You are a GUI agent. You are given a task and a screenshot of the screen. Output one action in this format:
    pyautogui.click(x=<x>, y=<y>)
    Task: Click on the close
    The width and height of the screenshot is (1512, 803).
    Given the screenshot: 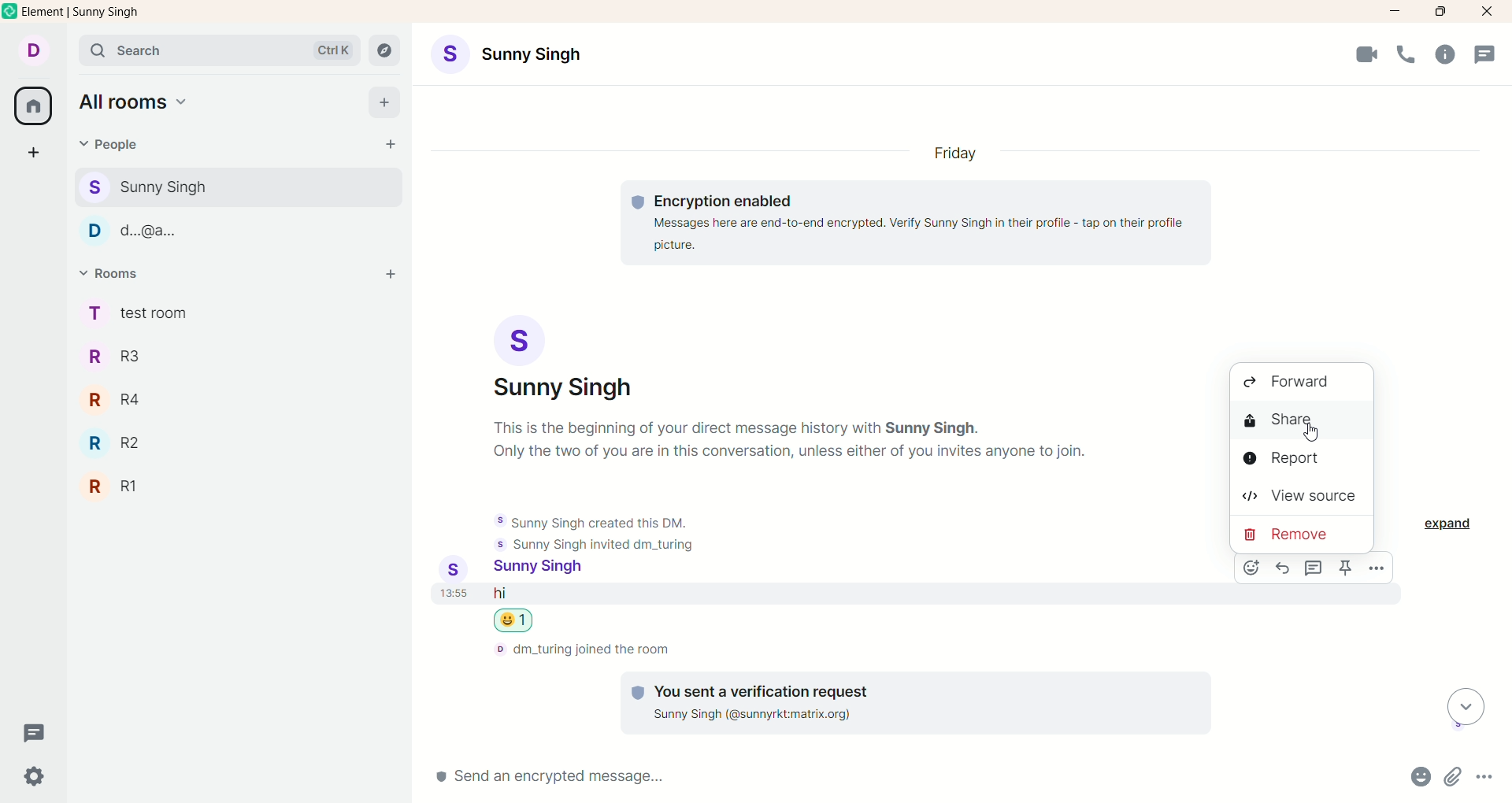 What is the action you would take?
    pyautogui.click(x=1489, y=12)
    